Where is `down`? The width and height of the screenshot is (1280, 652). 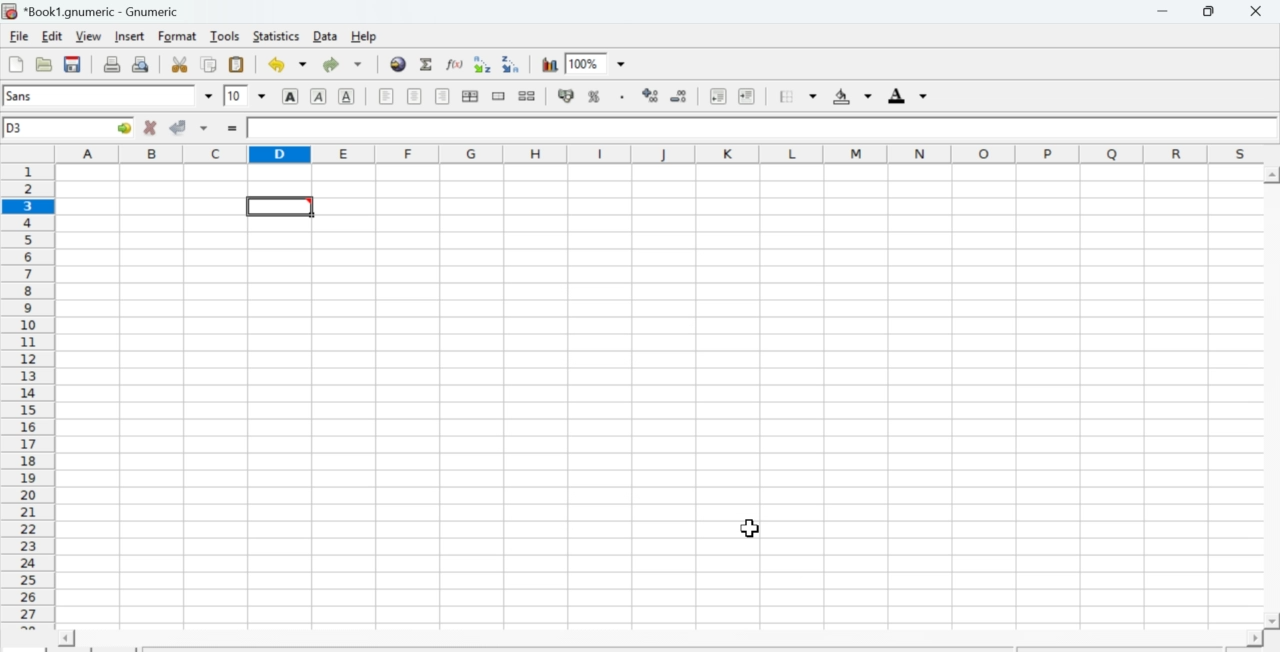
down is located at coordinates (205, 127).